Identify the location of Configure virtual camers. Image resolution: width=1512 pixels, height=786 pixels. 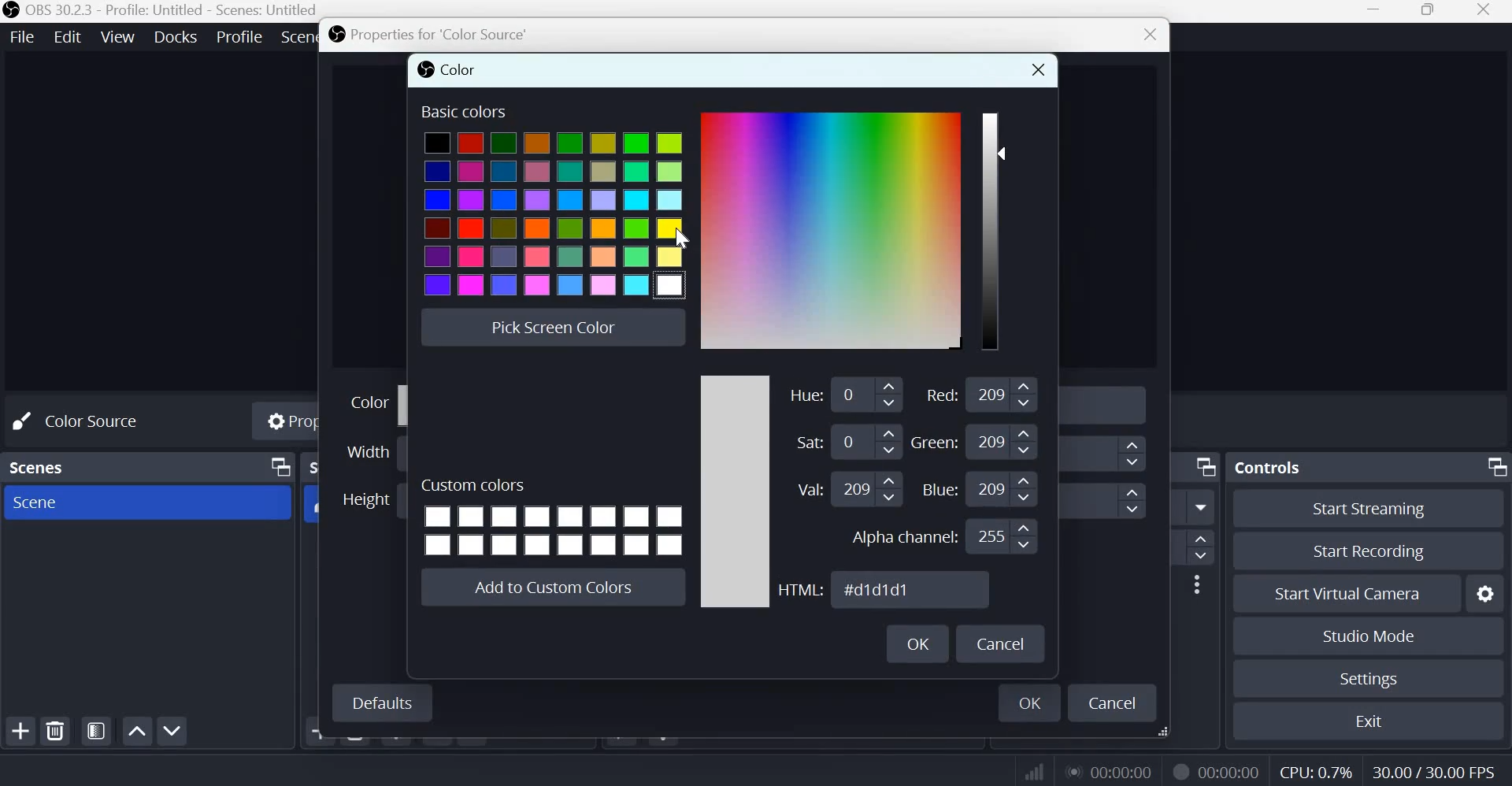
(1488, 595).